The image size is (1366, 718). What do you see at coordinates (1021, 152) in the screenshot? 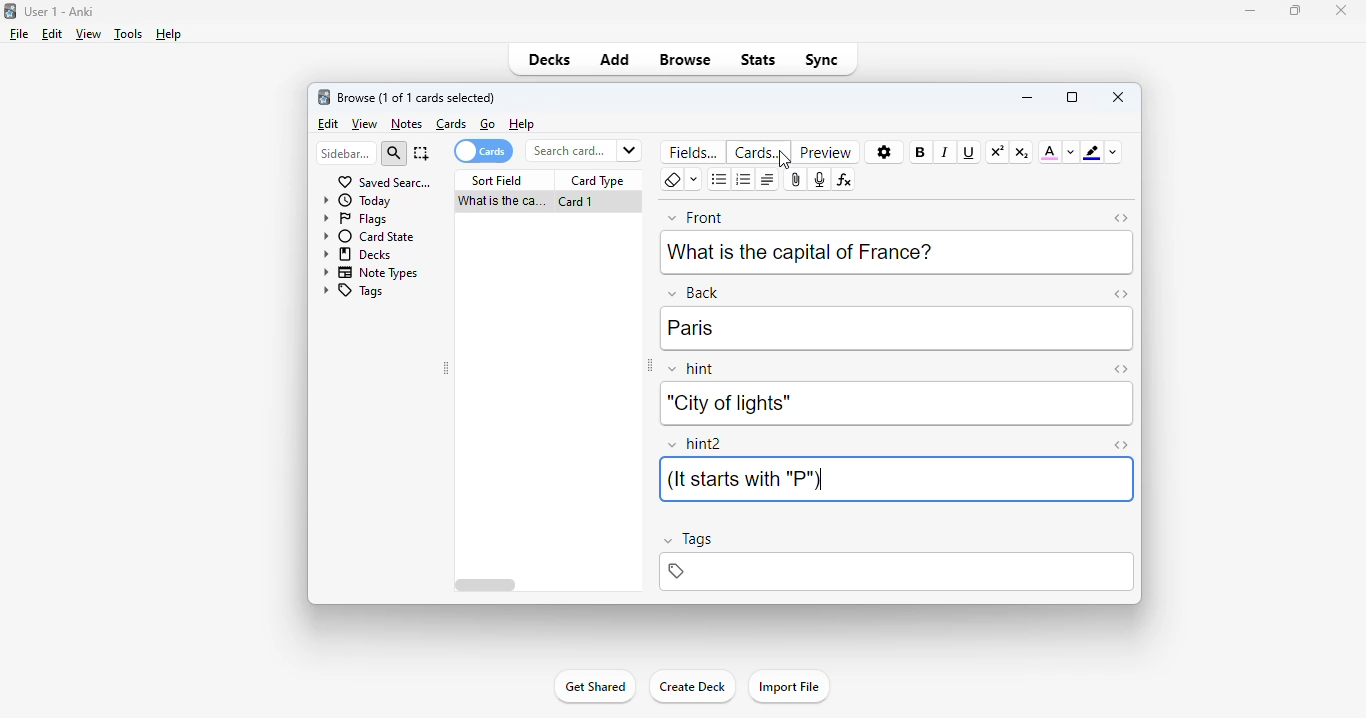
I see `subscript` at bounding box center [1021, 152].